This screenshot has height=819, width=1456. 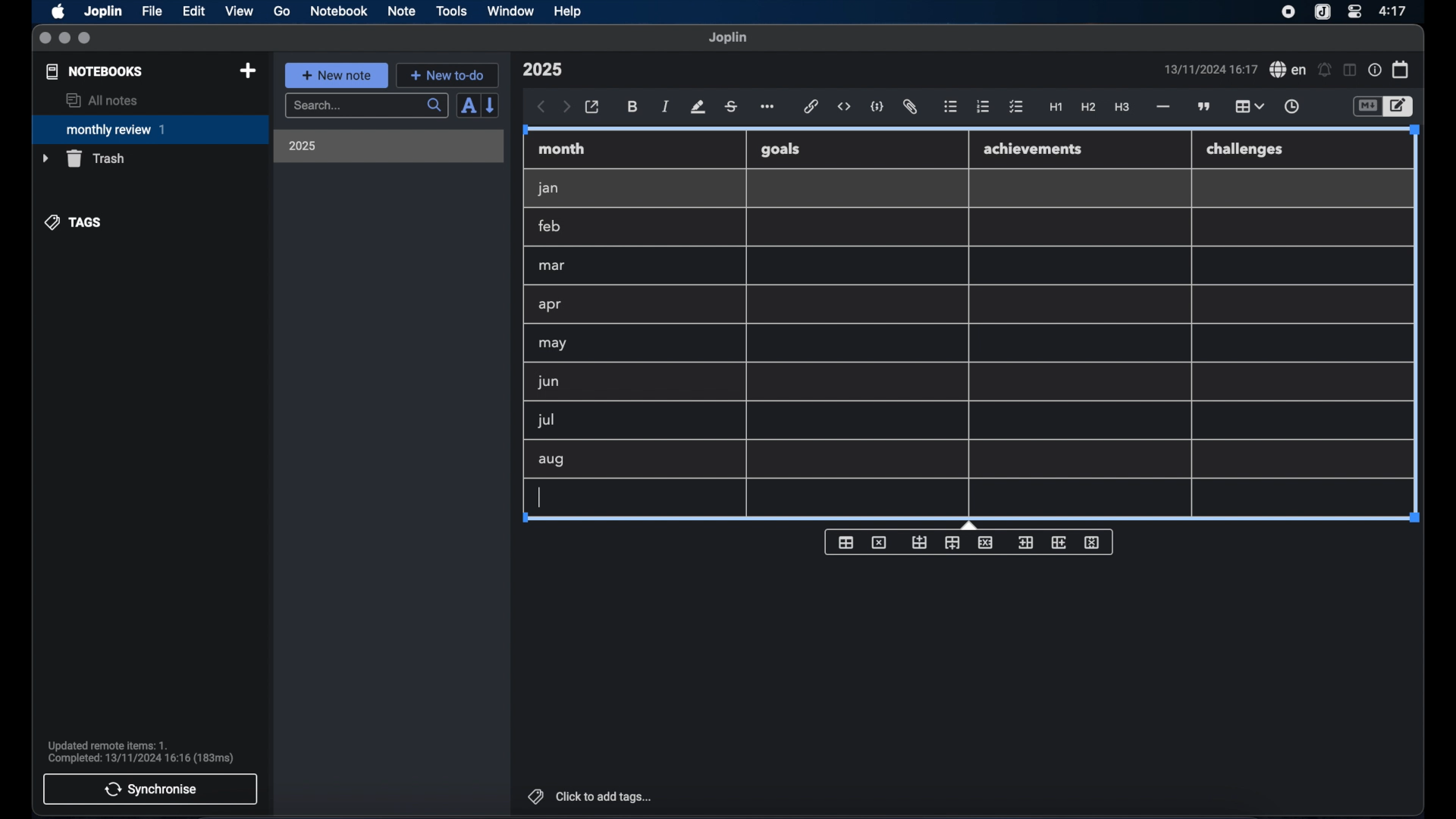 I want to click on new notebook, so click(x=247, y=71).